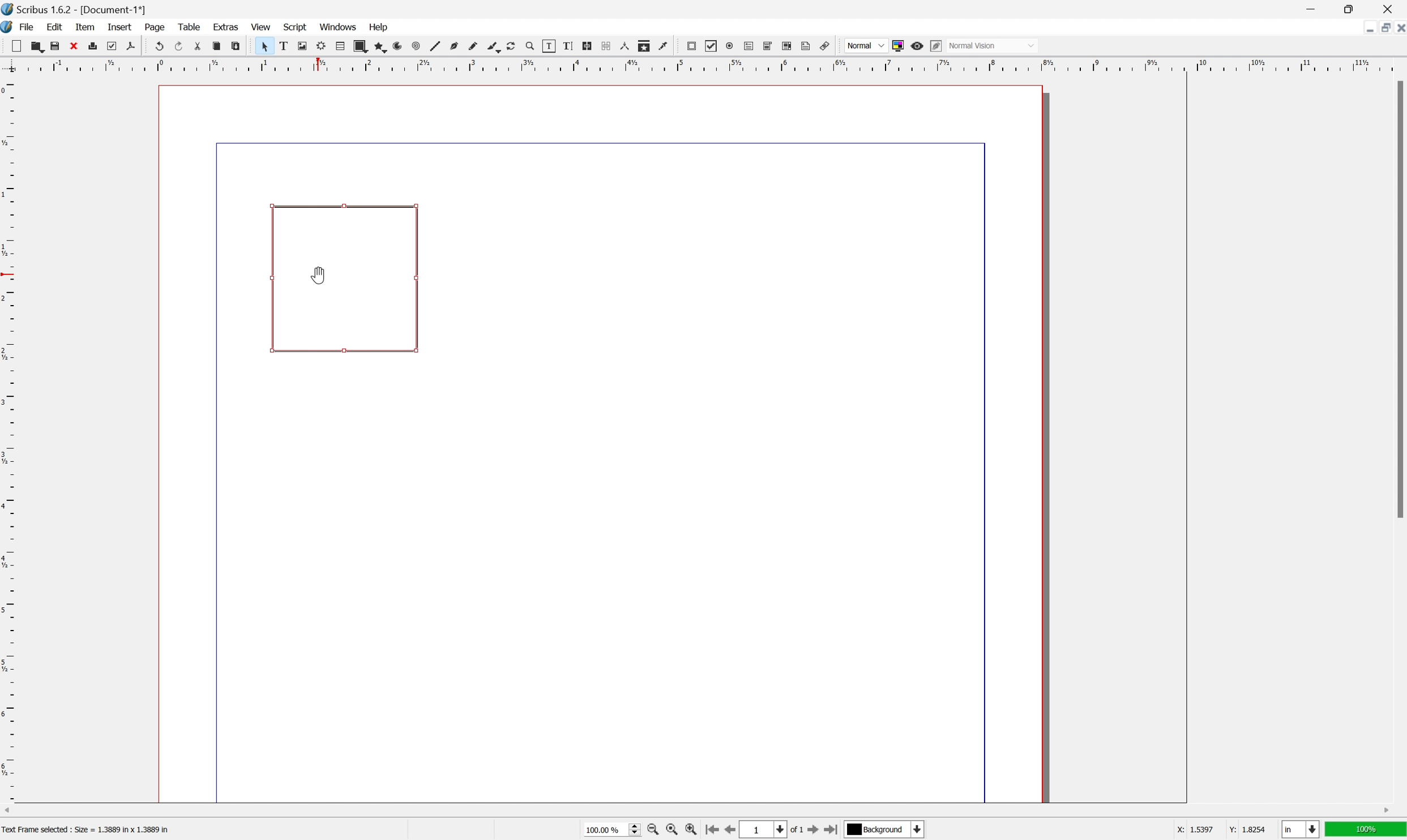 The image size is (1407, 840). What do you see at coordinates (1301, 830) in the screenshot?
I see `select current unit` at bounding box center [1301, 830].